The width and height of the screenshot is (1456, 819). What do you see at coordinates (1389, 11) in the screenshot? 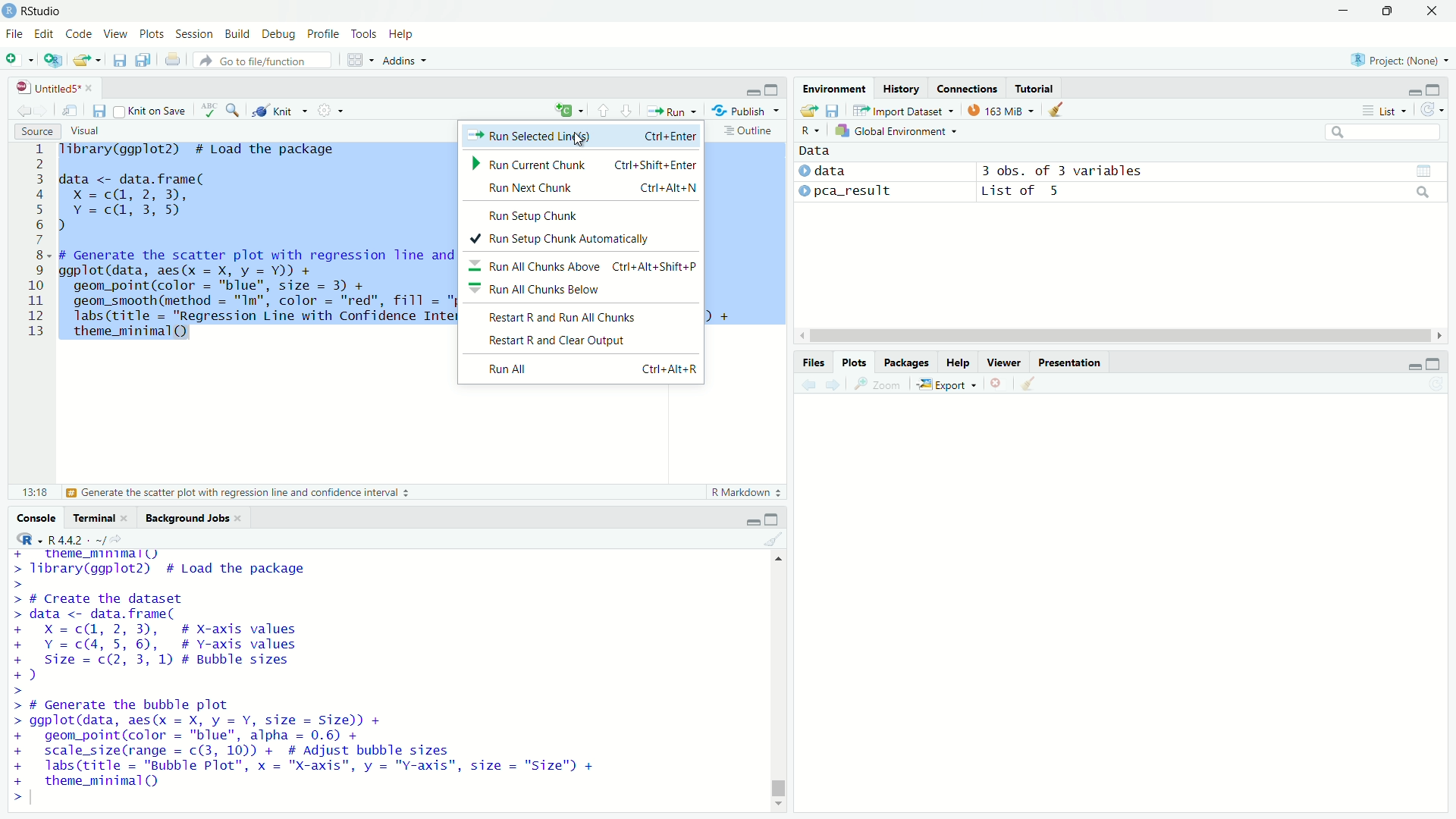
I see `restore` at bounding box center [1389, 11].